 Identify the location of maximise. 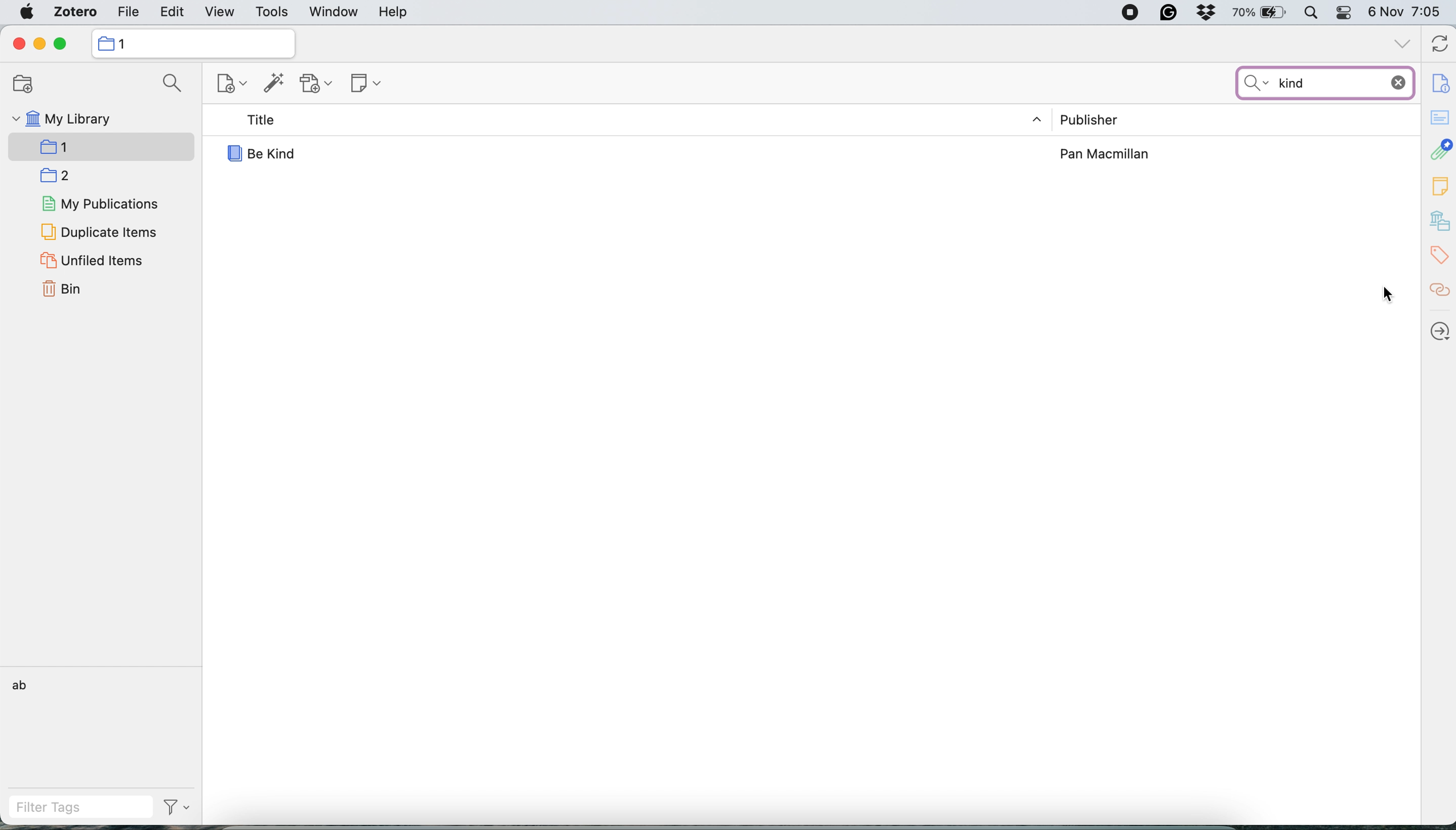
(63, 44).